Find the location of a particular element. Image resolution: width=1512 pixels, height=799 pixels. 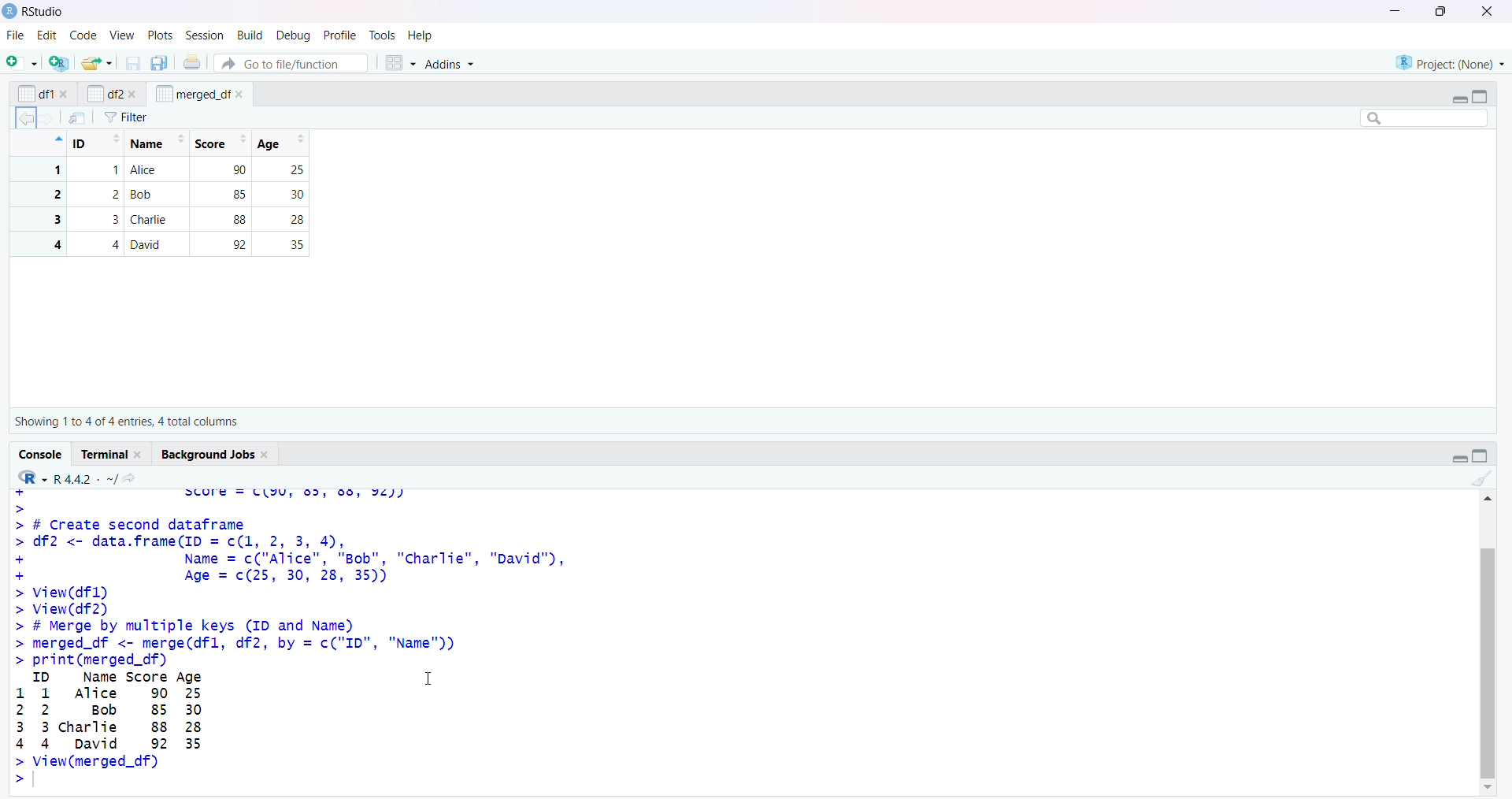

send is located at coordinates (78, 117).